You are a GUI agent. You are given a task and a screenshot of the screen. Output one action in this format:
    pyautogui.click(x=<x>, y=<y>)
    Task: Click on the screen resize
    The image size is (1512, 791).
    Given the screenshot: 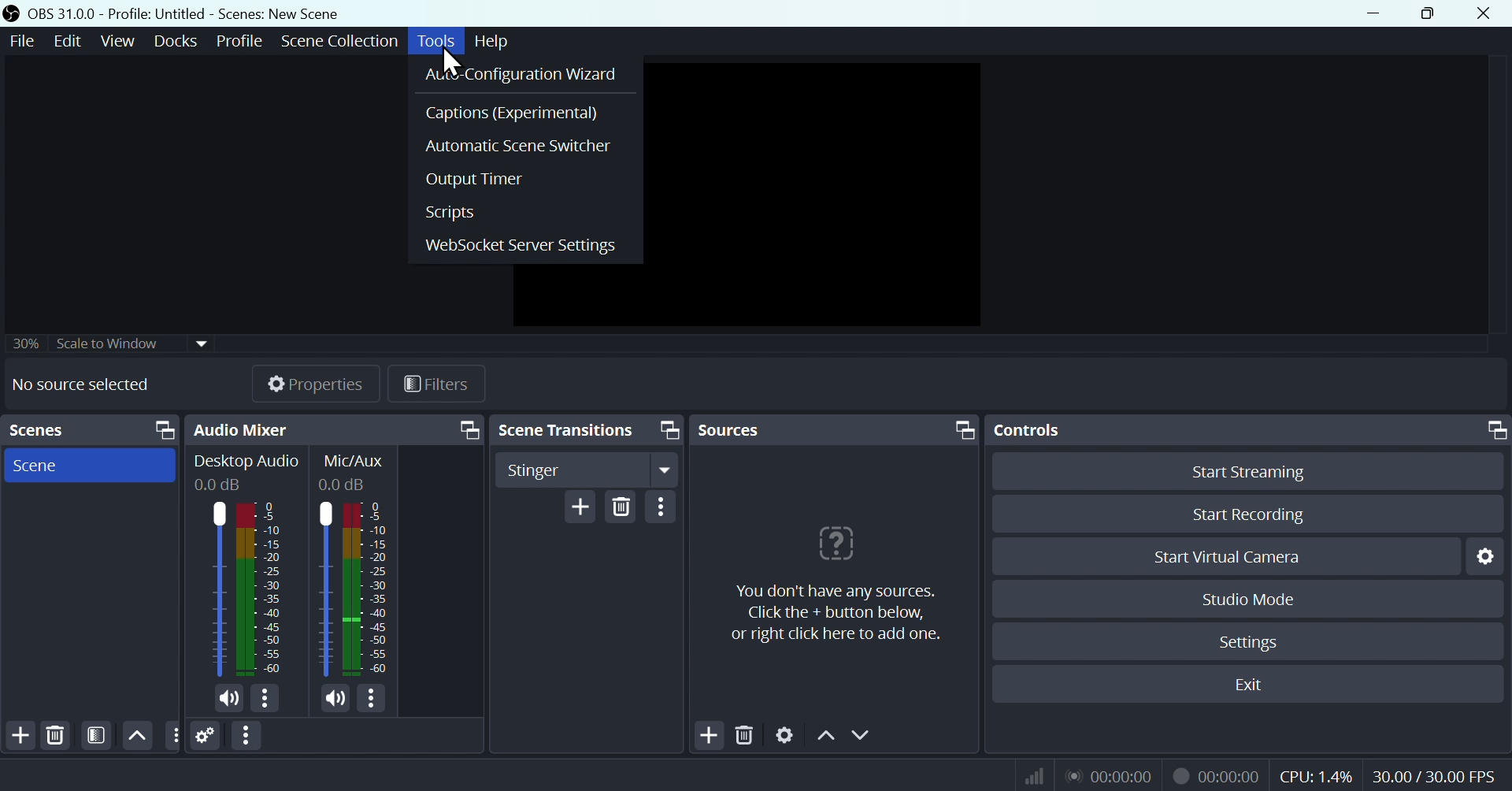 What is the action you would take?
    pyautogui.click(x=961, y=429)
    